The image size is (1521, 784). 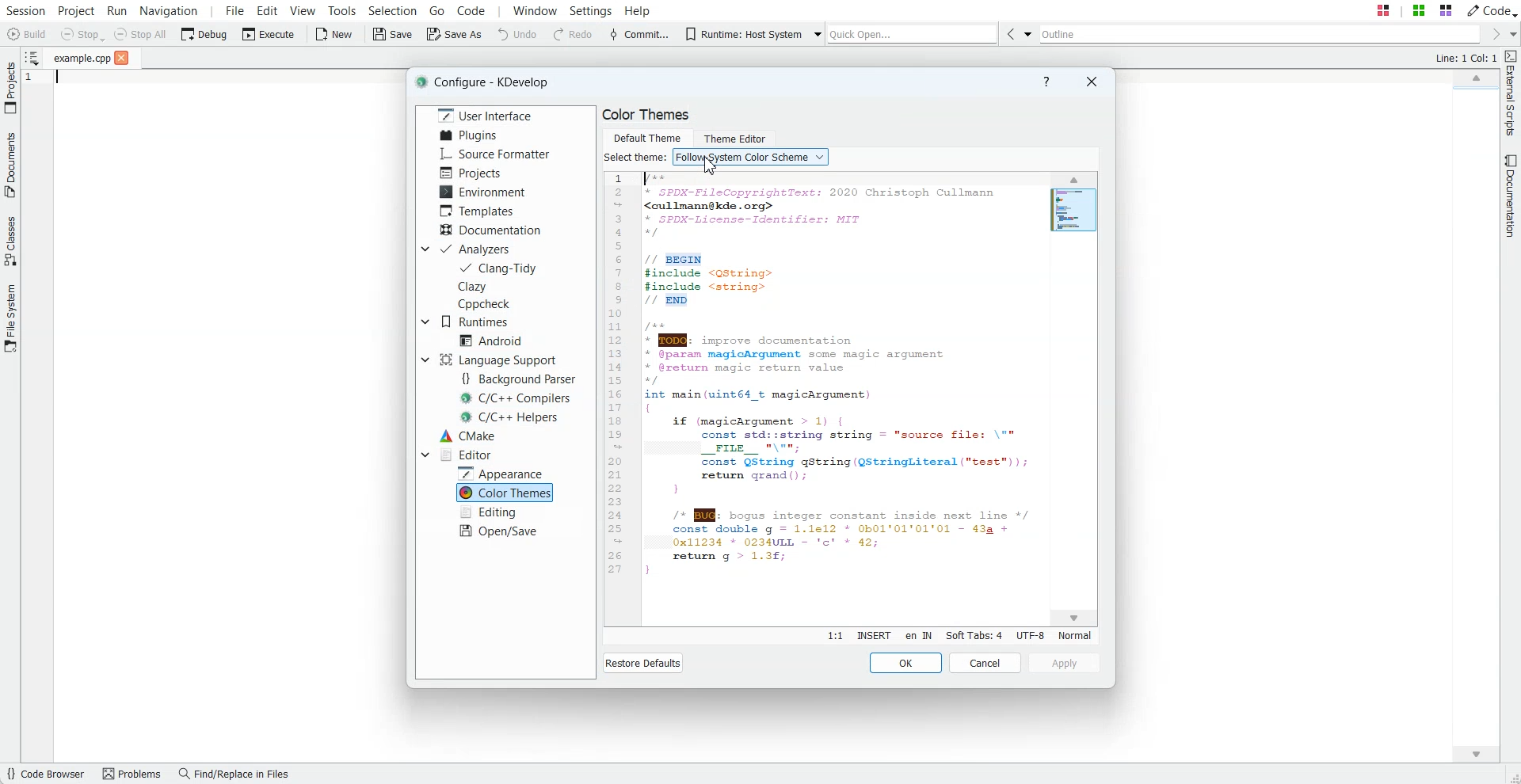 I want to click on External Script, so click(x=1511, y=94).